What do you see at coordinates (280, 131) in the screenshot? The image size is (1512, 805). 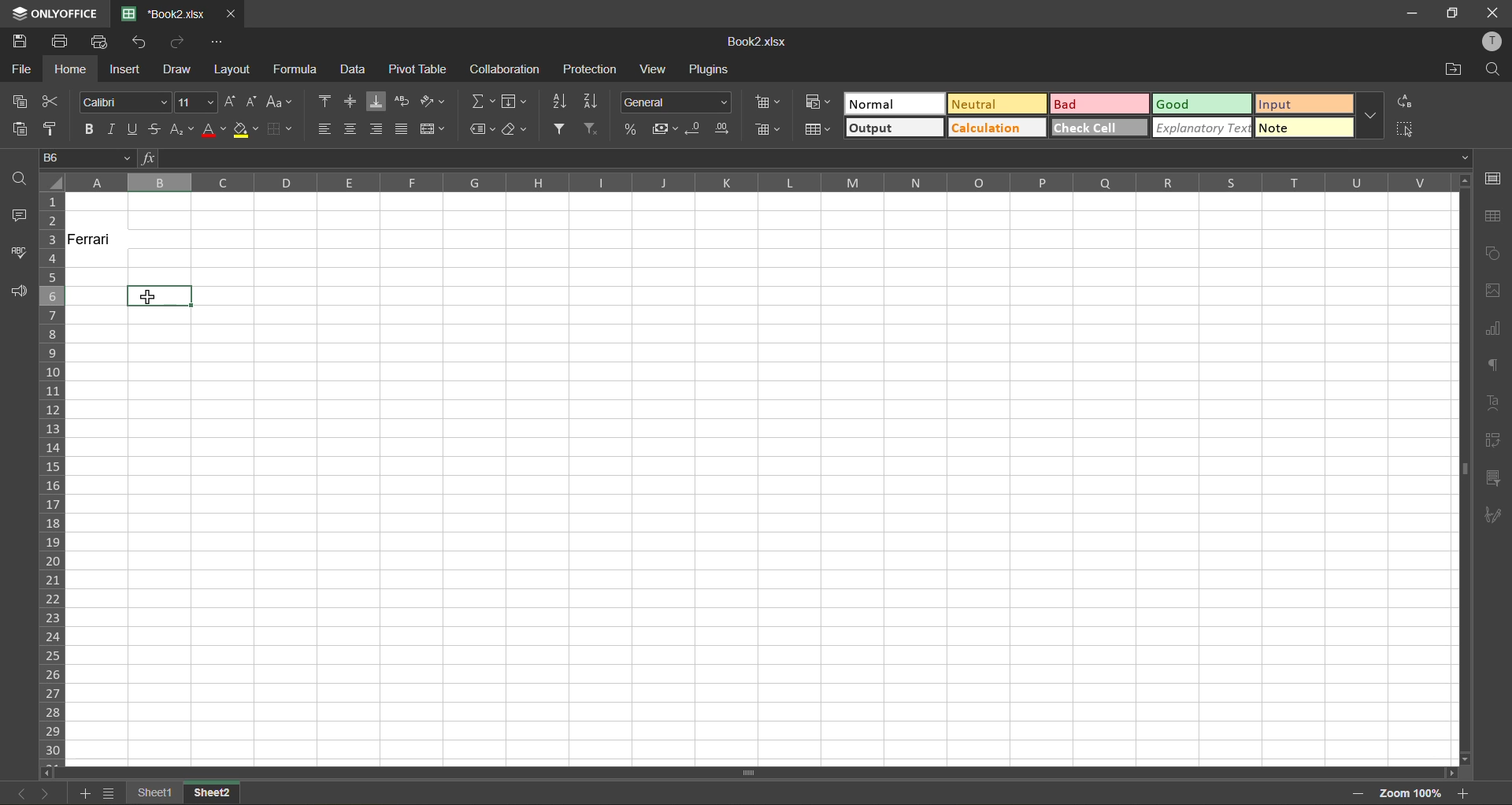 I see `borders` at bounding box center [280, 131].